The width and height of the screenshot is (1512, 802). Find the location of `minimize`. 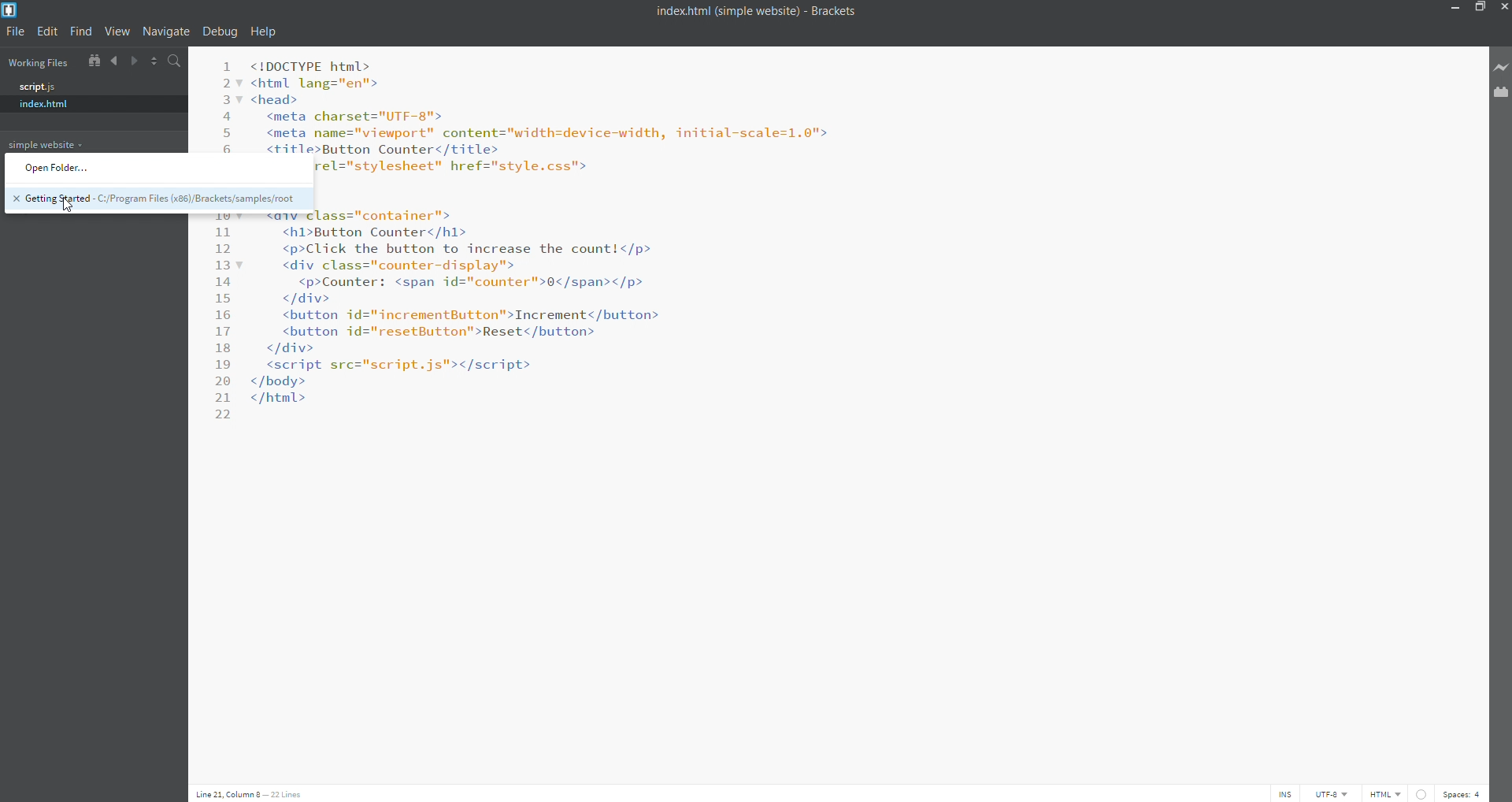

minimize is located at coordinates (1451, 9).